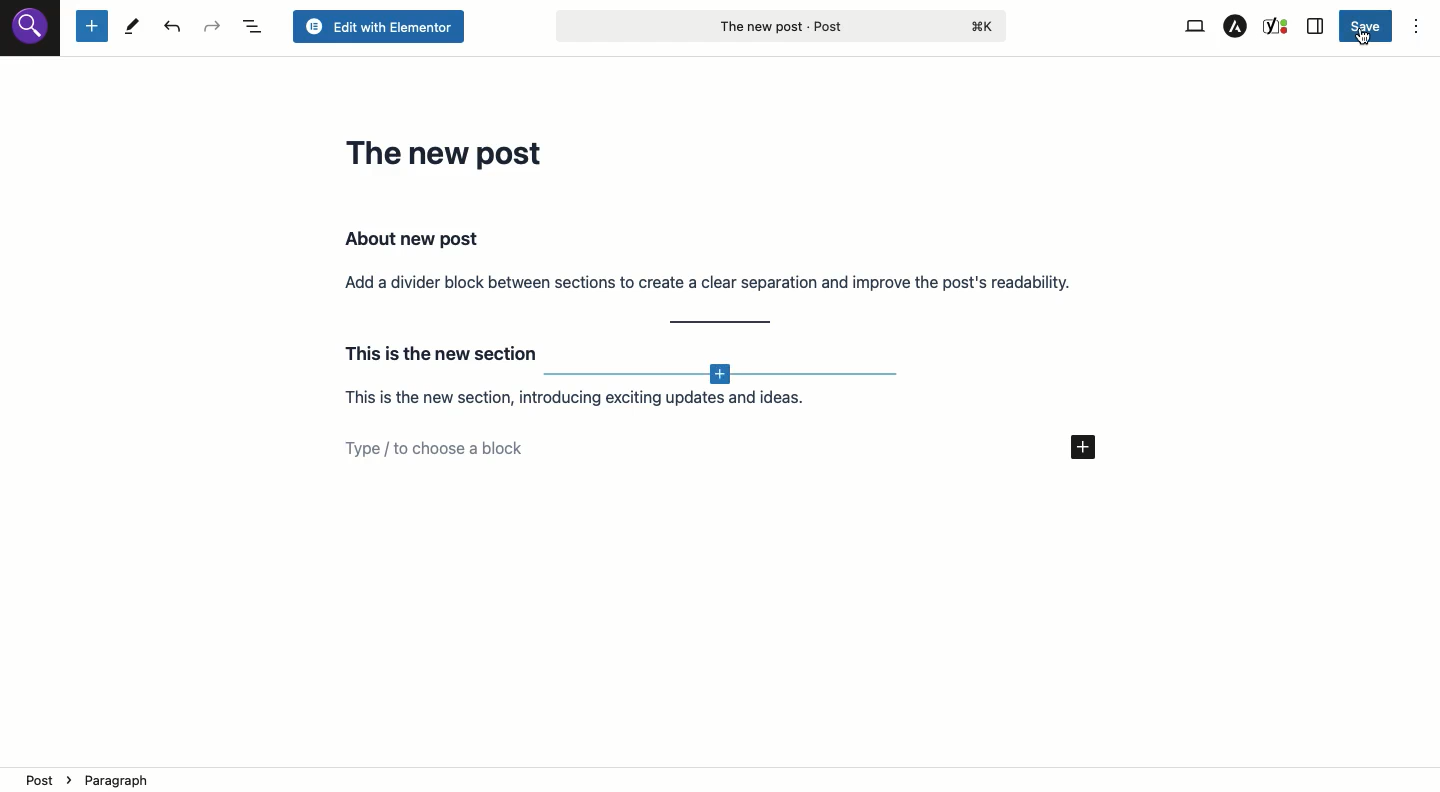  What do you see at coordinates (176, 28) in the screenshot?
I see `Undo` at bounding box center [176, 28].